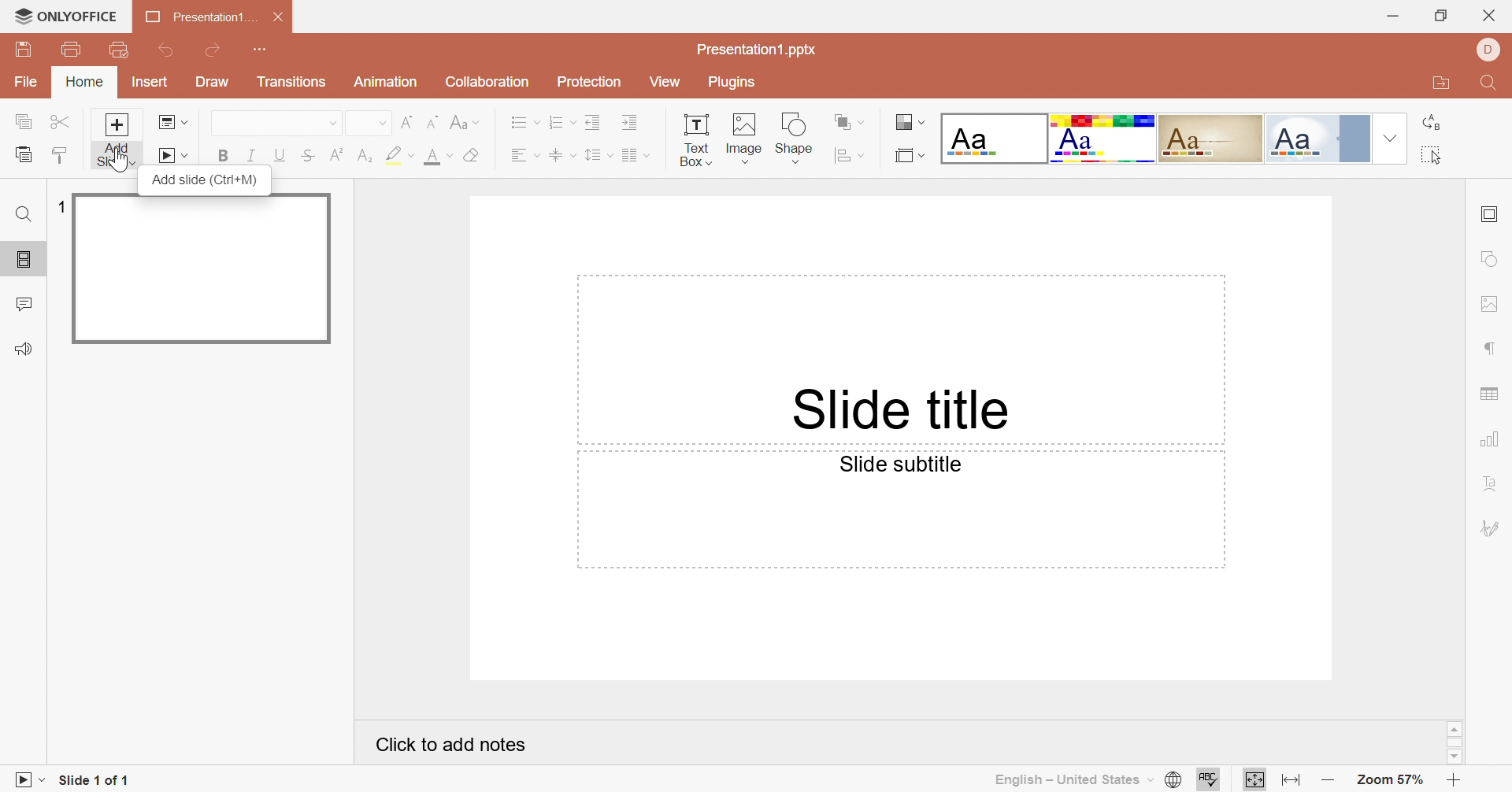 This screenshot has width=1512, height=792. Describe the element at coordinates (382, 124) in the screenshot. I see `Drop Down` at that location.